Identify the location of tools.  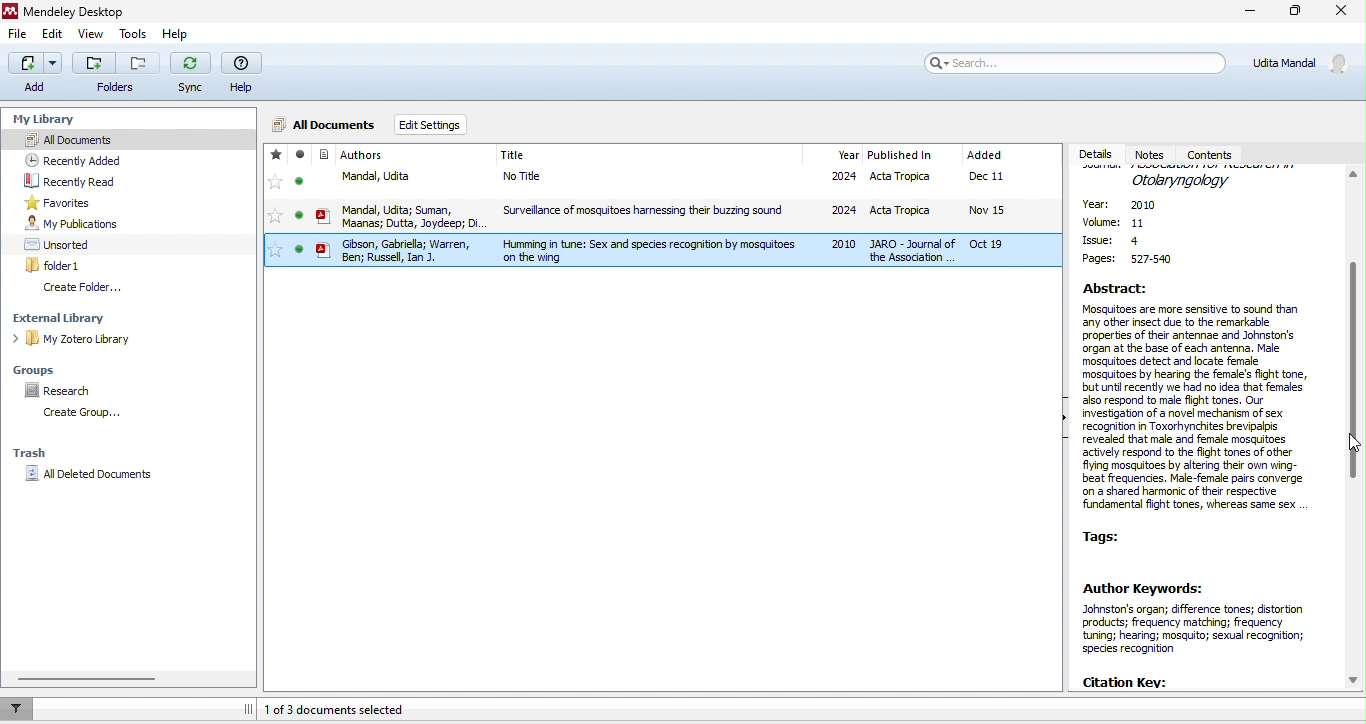
(134, 36).